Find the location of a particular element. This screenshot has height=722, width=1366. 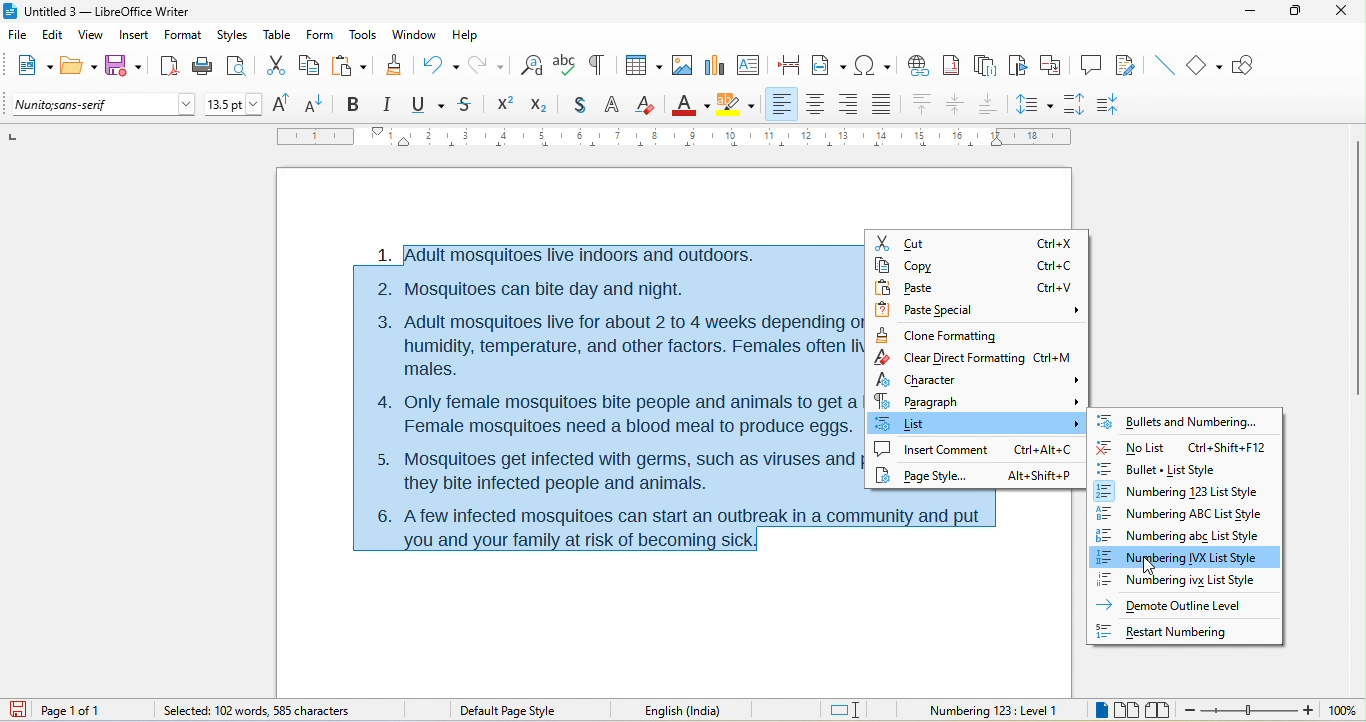

page style is located at coordinates (975, 480).